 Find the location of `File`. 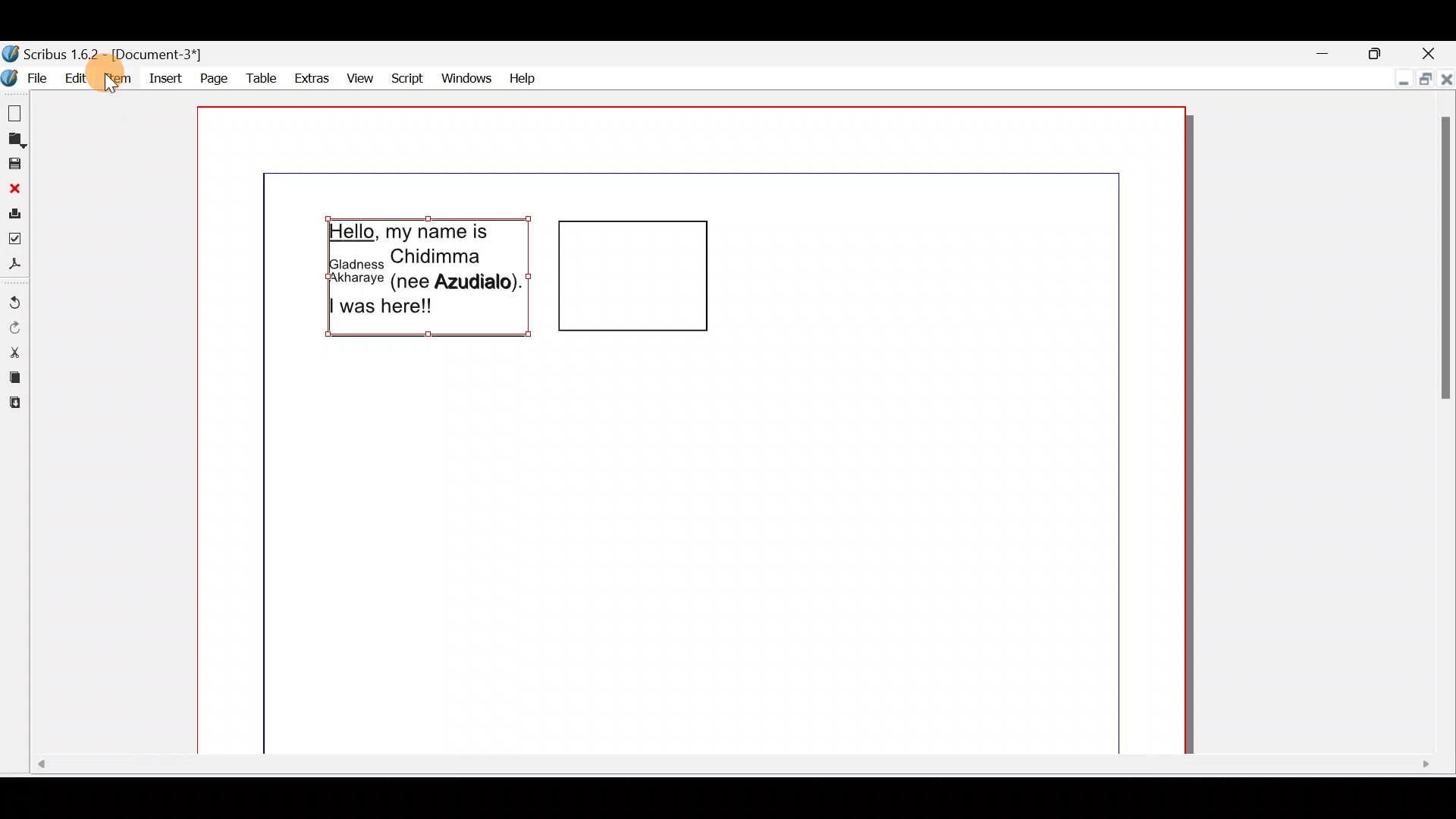

File is located at coordinates (27, 76).